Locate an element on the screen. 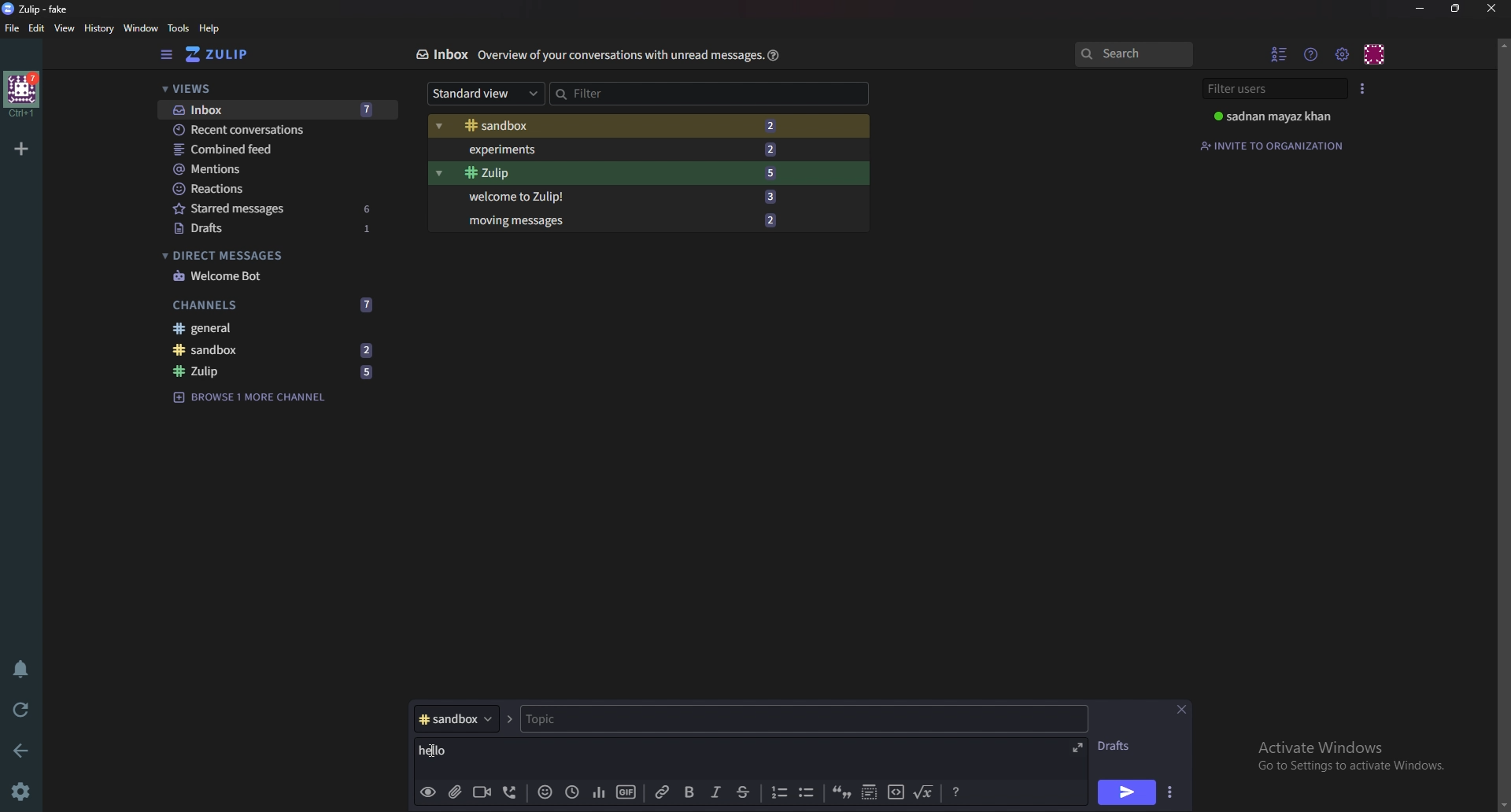 The width and height of the screenshot is (1511, 812). Welcome to Zulip 3 is located at coordinates (619, 196).